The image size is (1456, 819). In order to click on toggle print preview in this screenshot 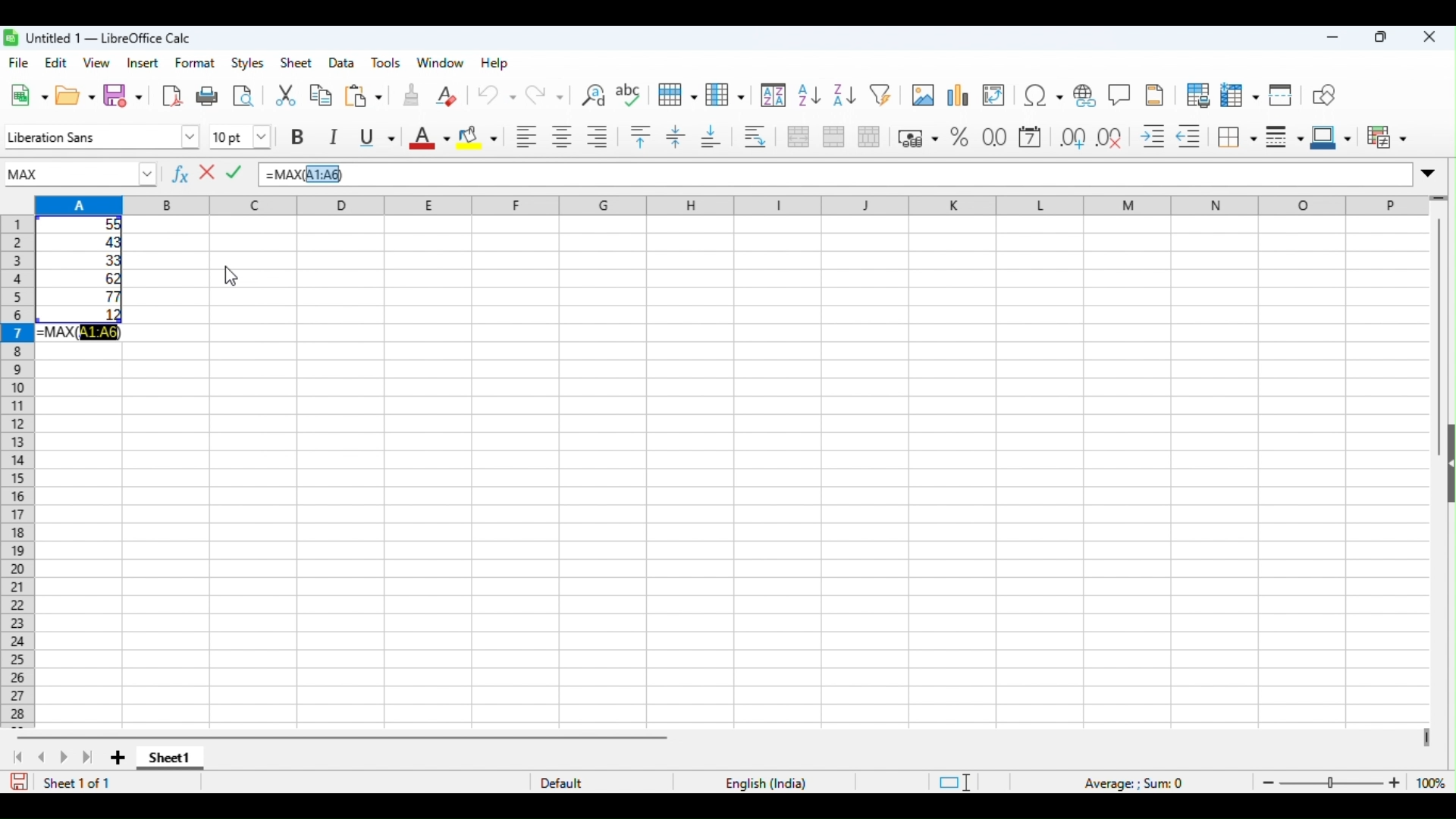, I will do `click(244, 96)`.